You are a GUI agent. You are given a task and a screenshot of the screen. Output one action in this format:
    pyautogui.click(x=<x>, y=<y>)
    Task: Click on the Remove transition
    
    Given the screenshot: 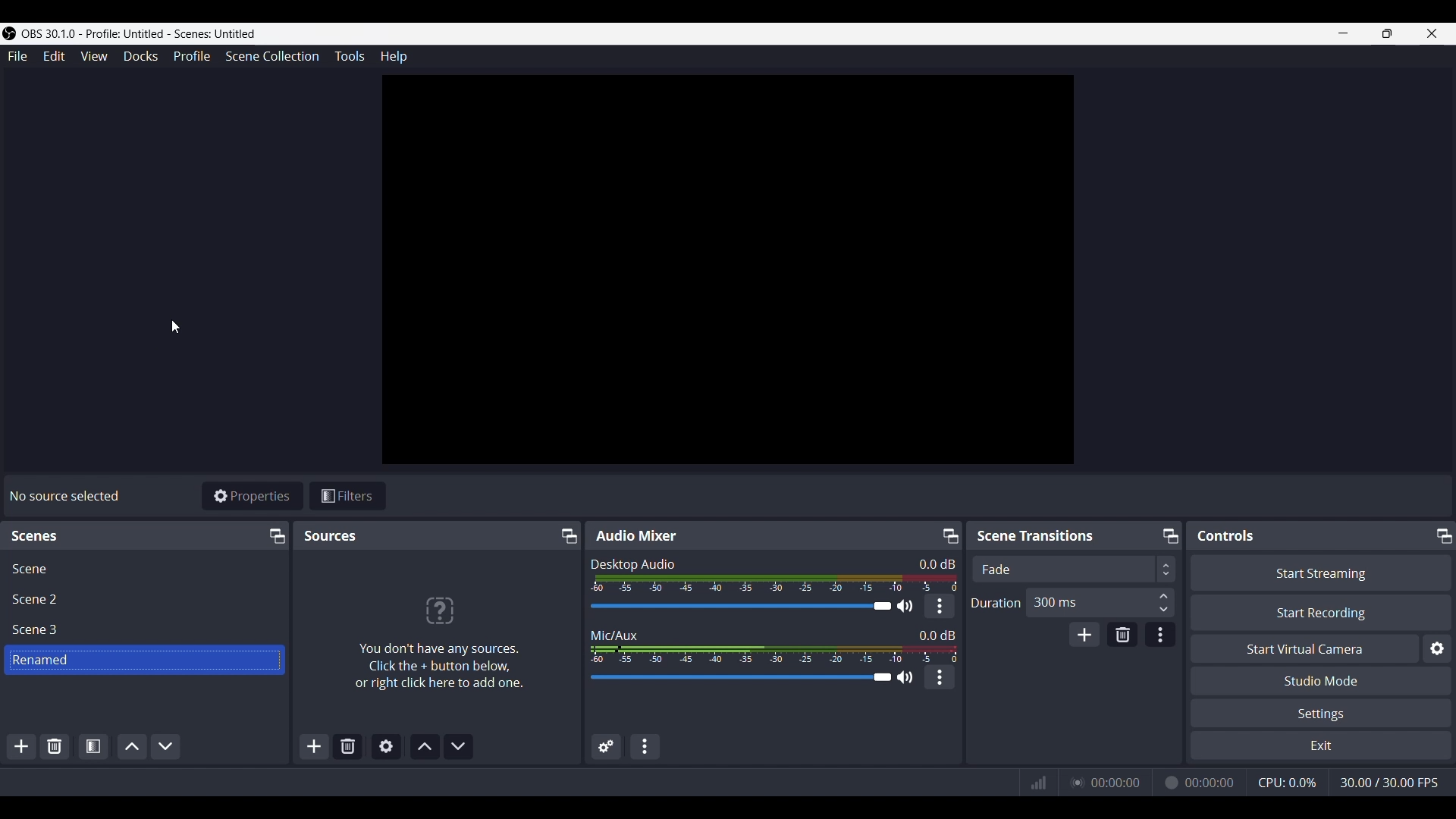 What is the action you would take?
    pyautogui.click(x=1121, y=635)
    